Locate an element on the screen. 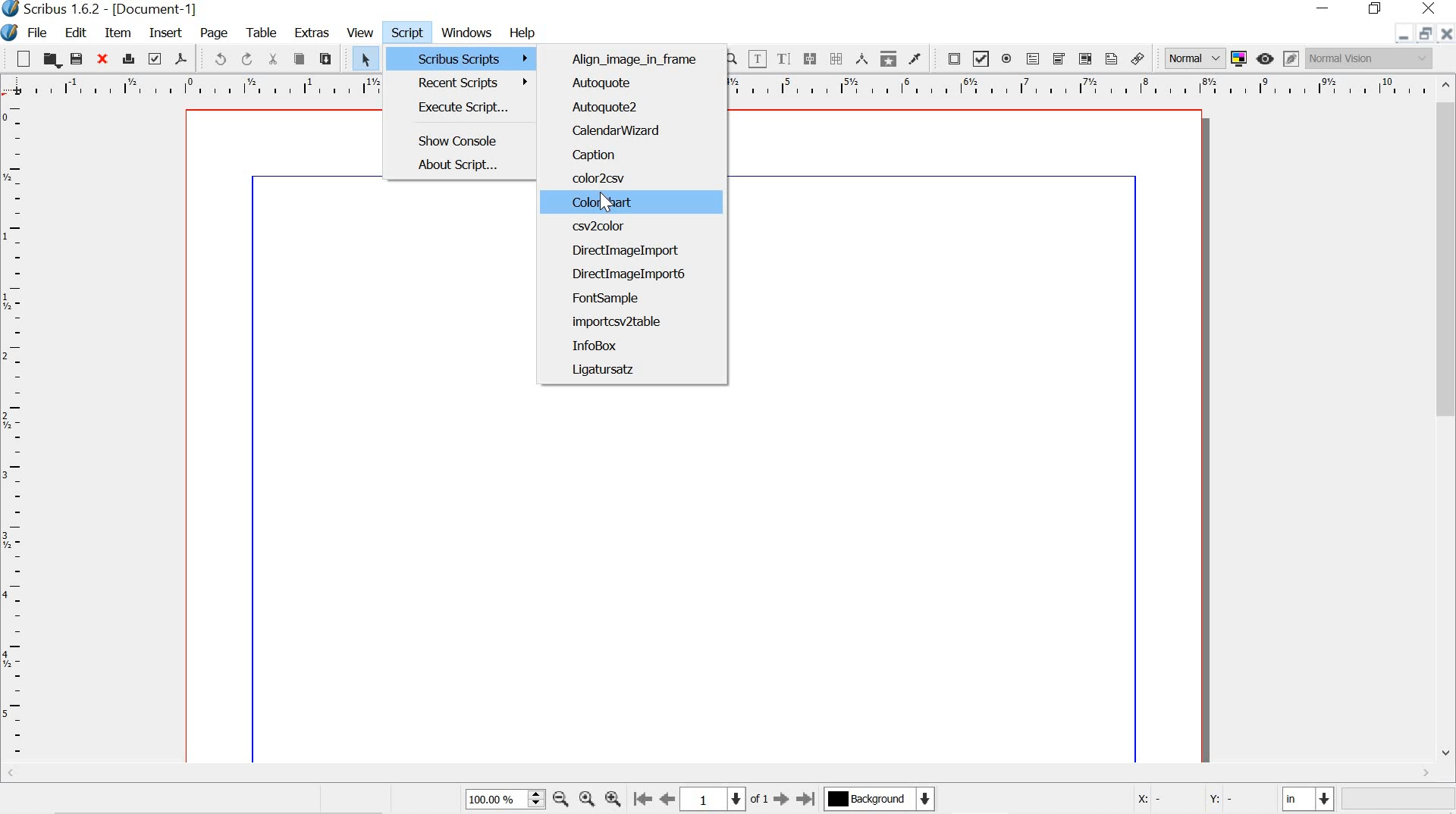 Image resolution: width=1456 pixels, height=814 pixels. 100% is located at coordinates (502, 798).